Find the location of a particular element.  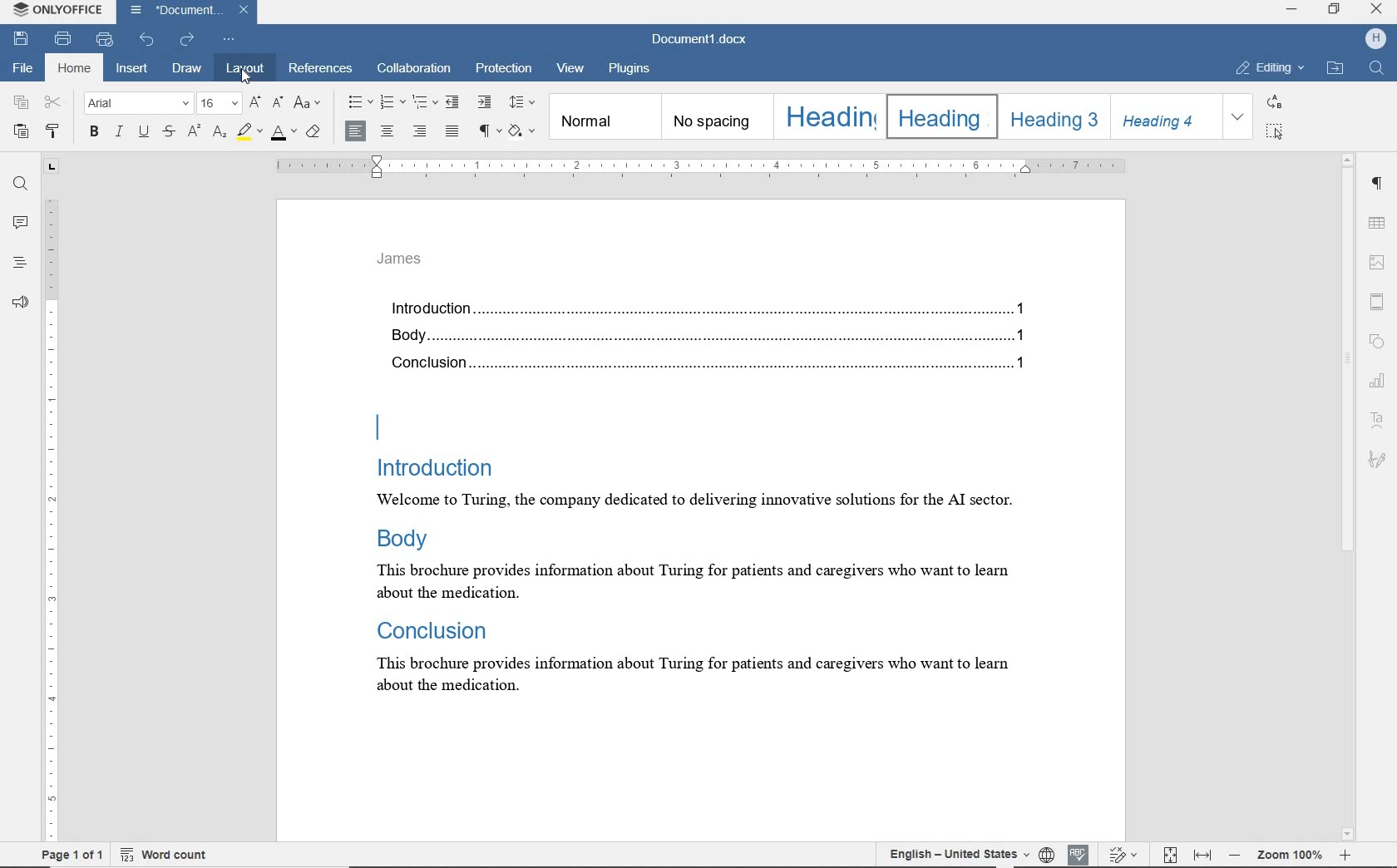

OPEN LINK LOCATION is located at coordinates (1338, 67).